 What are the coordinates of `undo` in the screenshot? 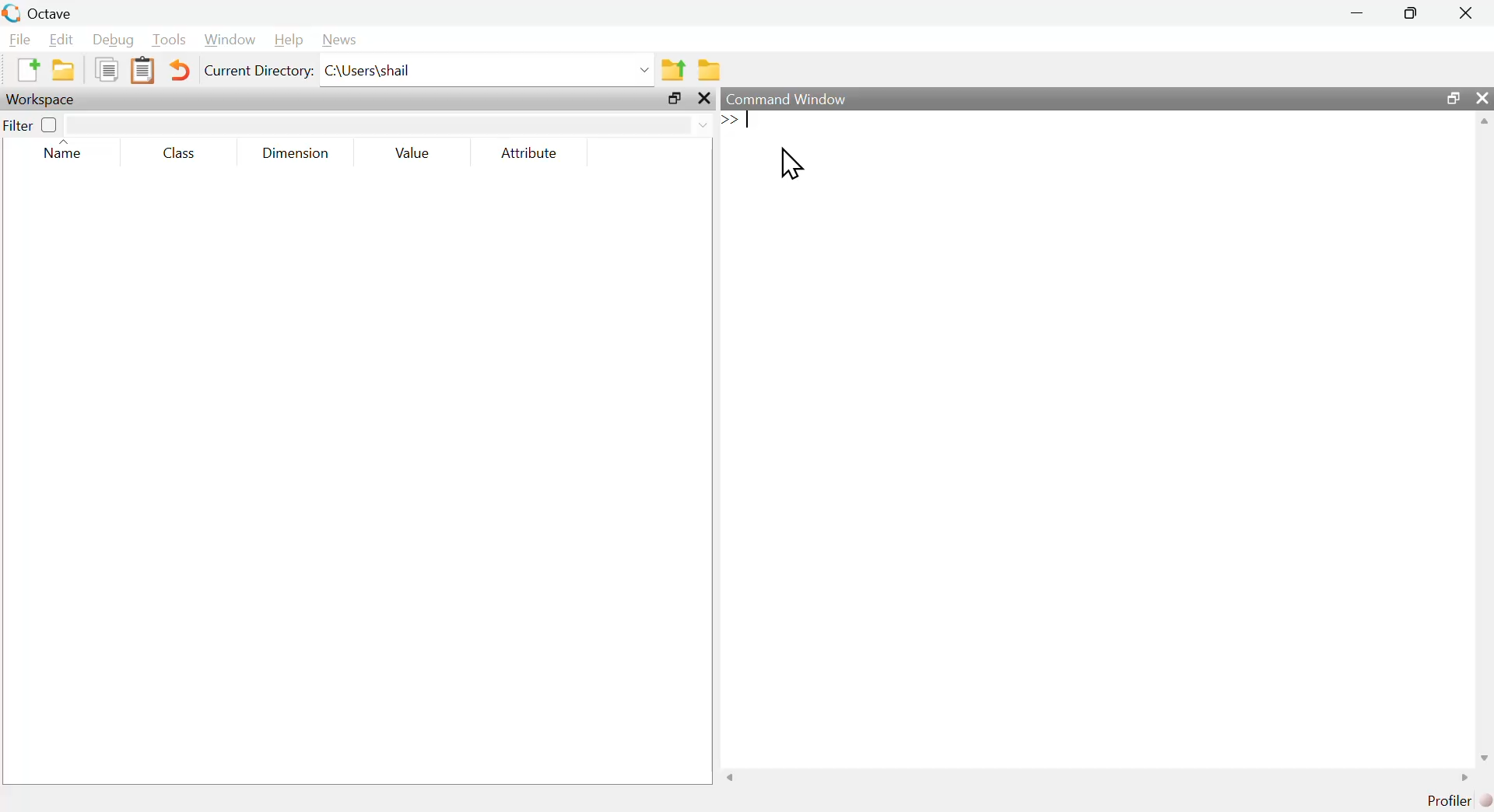 It's located at (182, 72).